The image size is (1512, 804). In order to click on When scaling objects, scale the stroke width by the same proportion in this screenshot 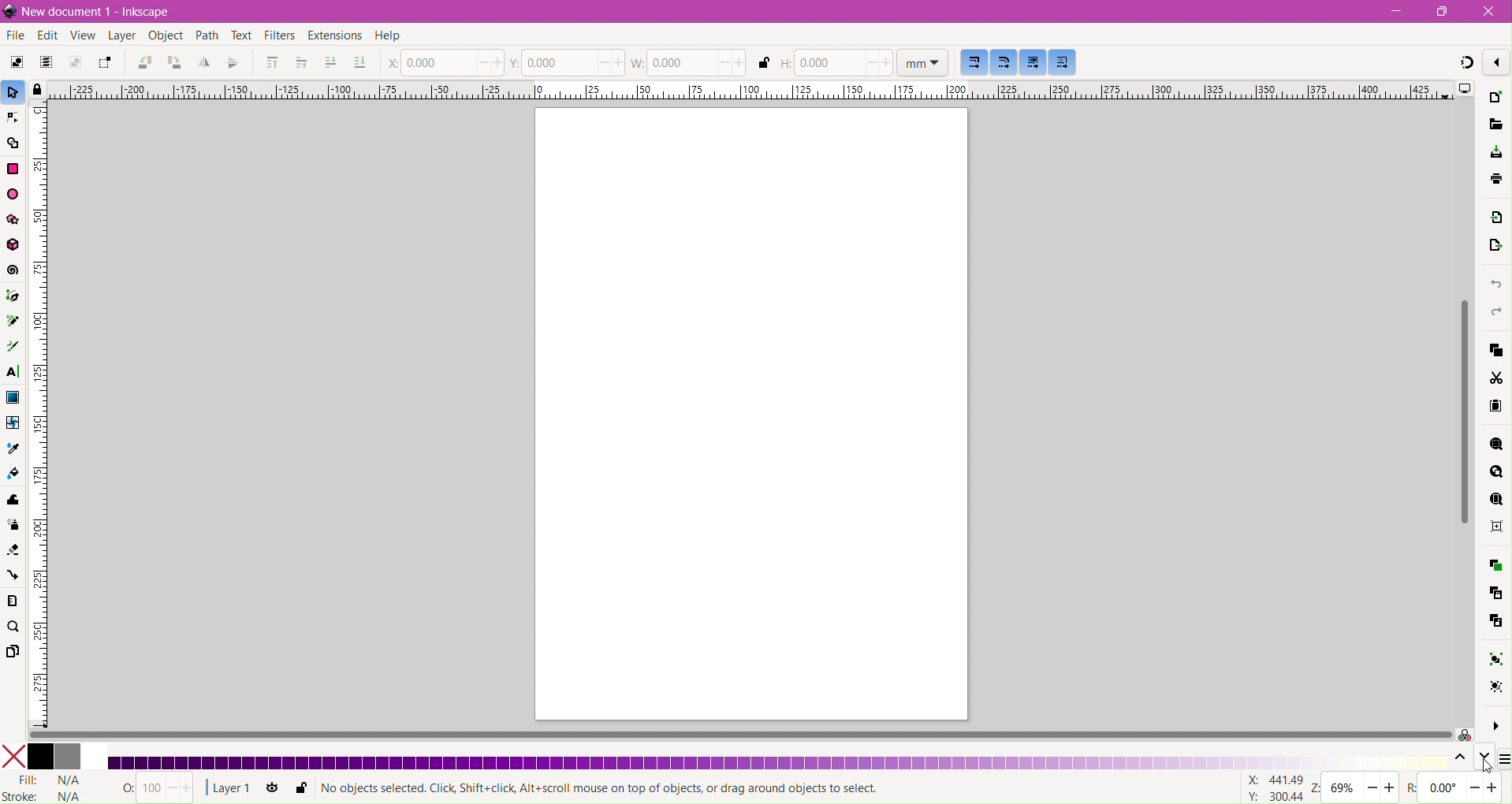, I will do `click(975, 61)`.